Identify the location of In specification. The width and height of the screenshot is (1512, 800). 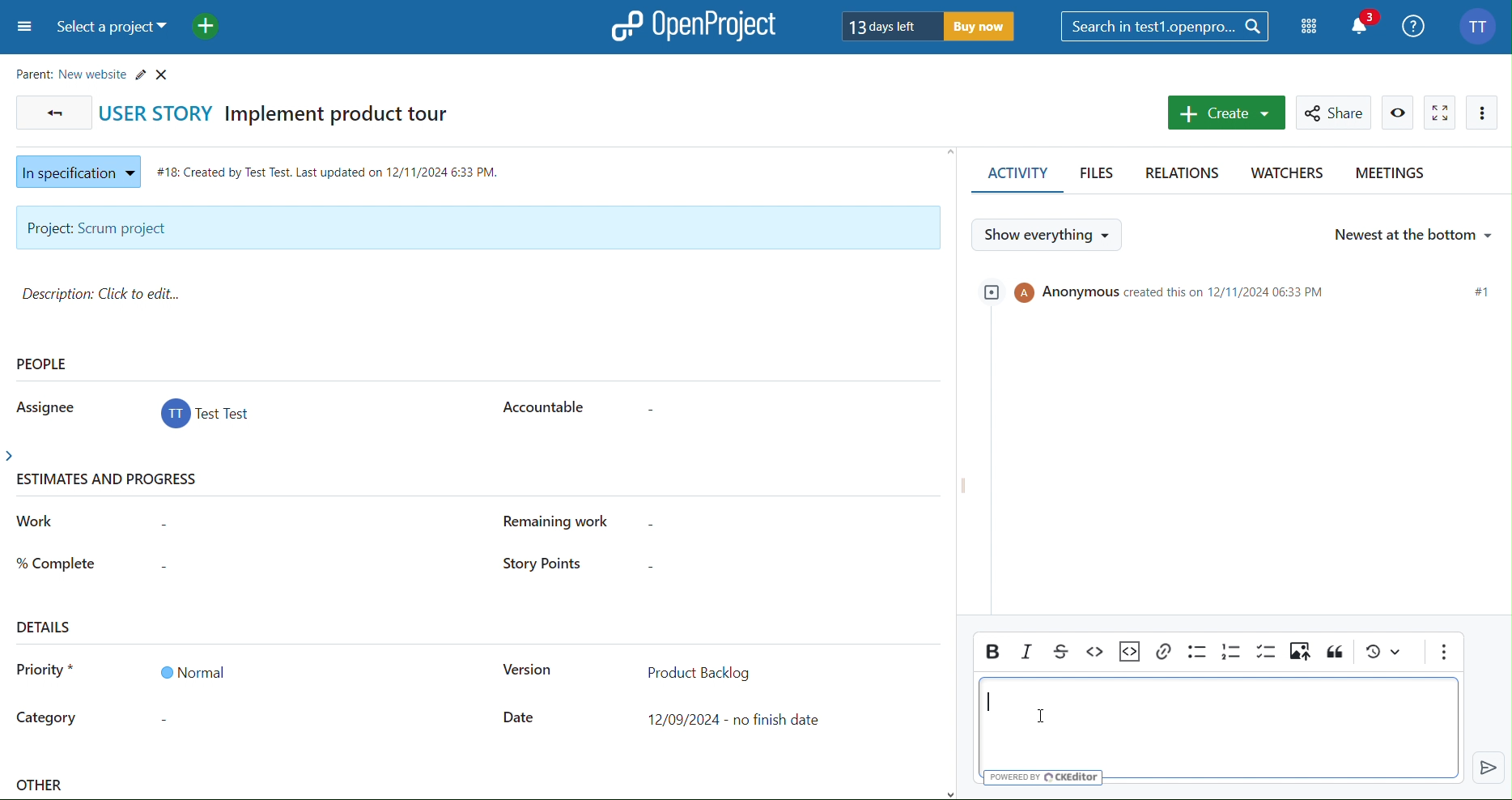
(74, 169).